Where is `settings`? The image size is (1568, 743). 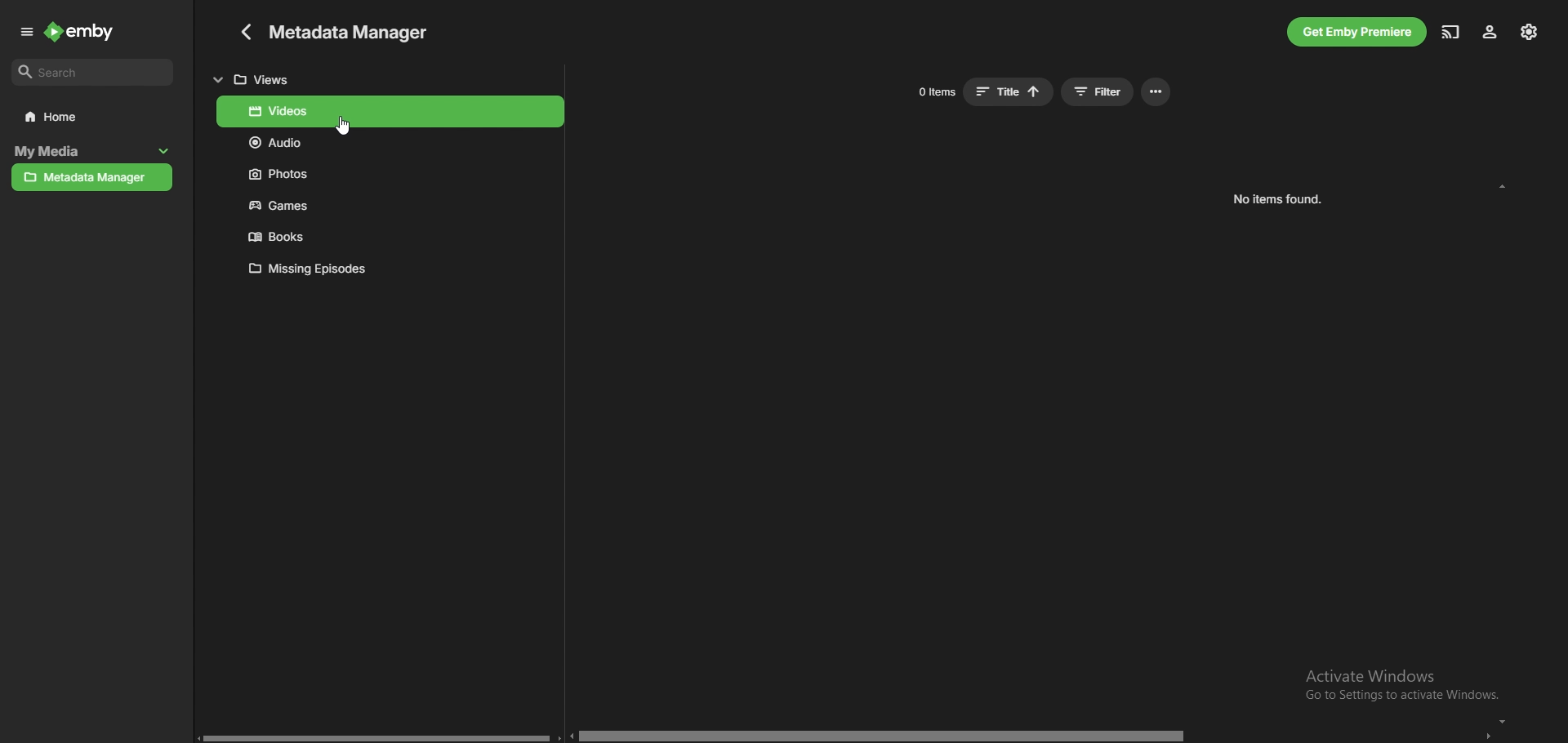
settings is located at coordinates (1530, 32).